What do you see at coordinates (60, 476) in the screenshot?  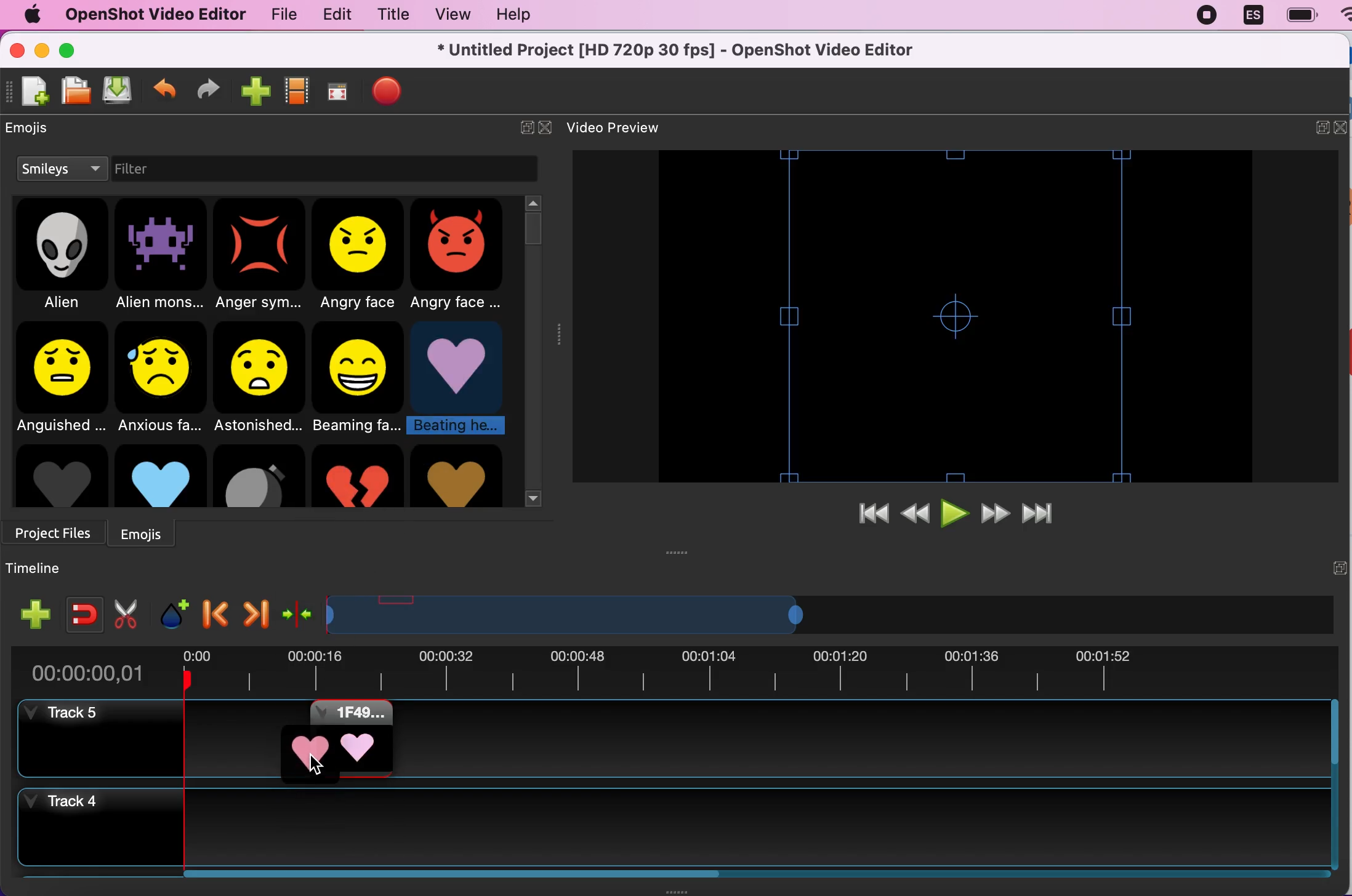 I see `Grey heart` at bounding box center [60, 476].